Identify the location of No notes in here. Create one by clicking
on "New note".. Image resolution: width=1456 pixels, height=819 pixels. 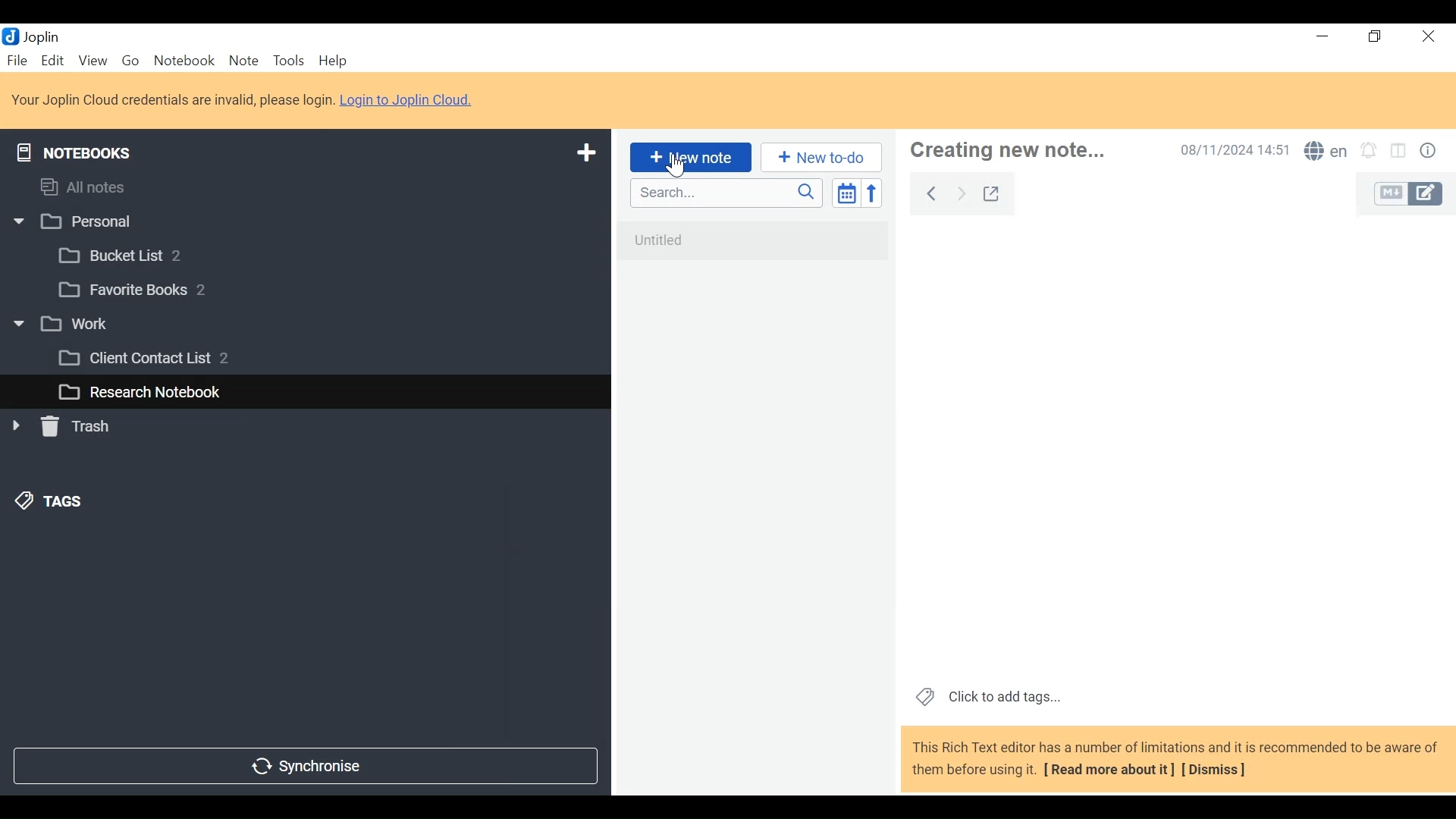
(757, 250).